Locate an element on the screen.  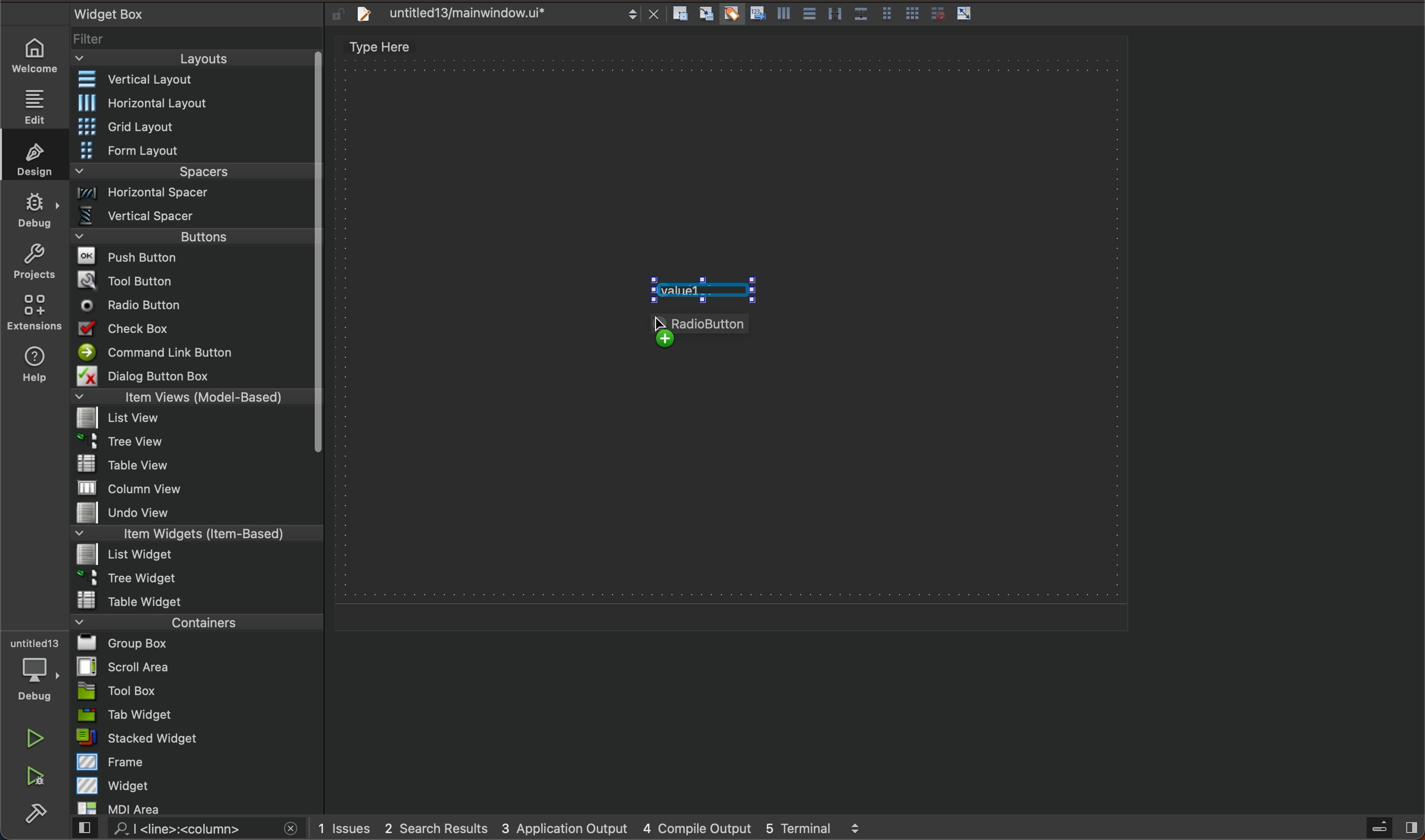
tool button is located at coordinates (194, 280).